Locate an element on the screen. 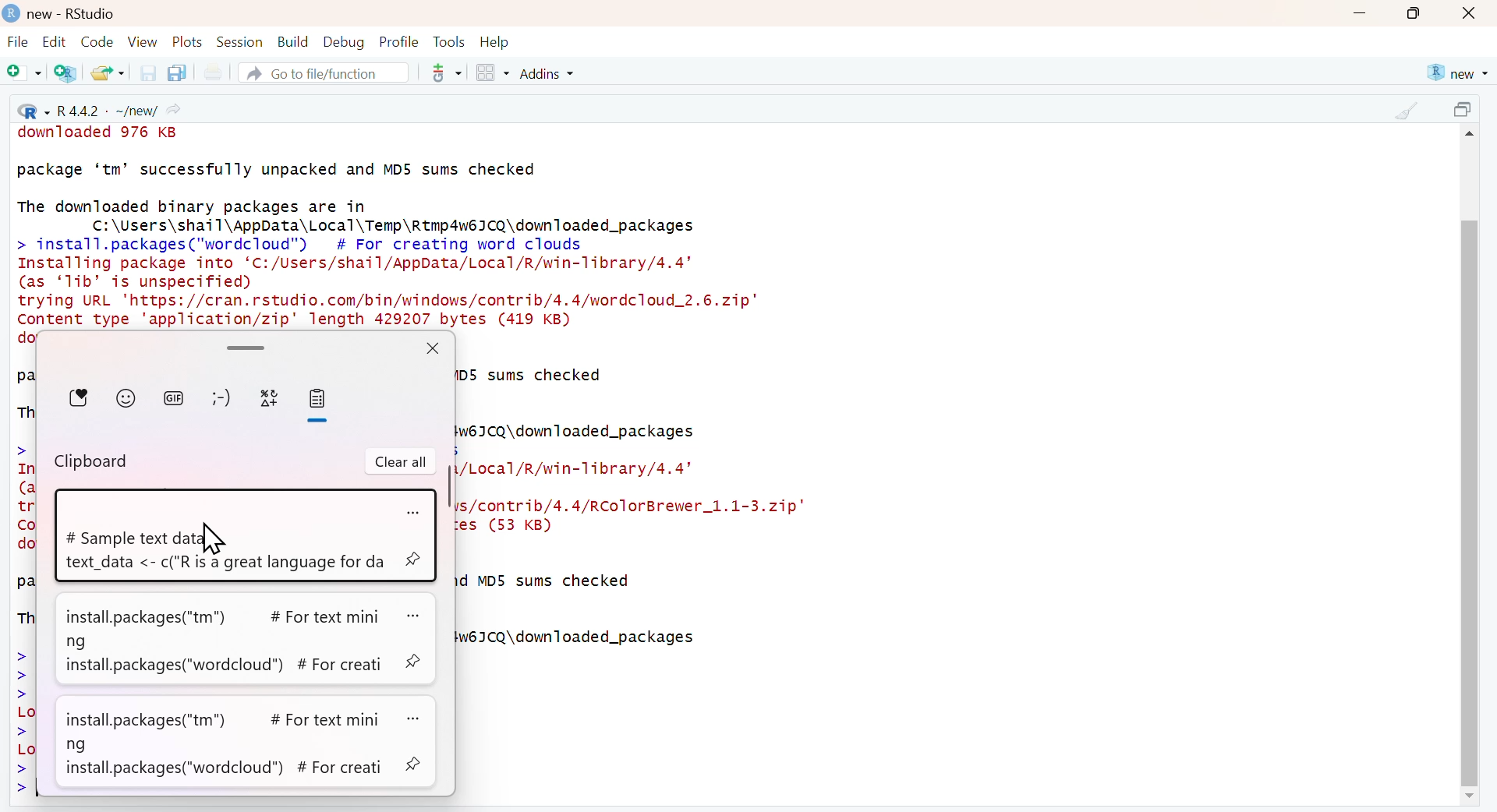  Help is located at coordinates (495, 42).